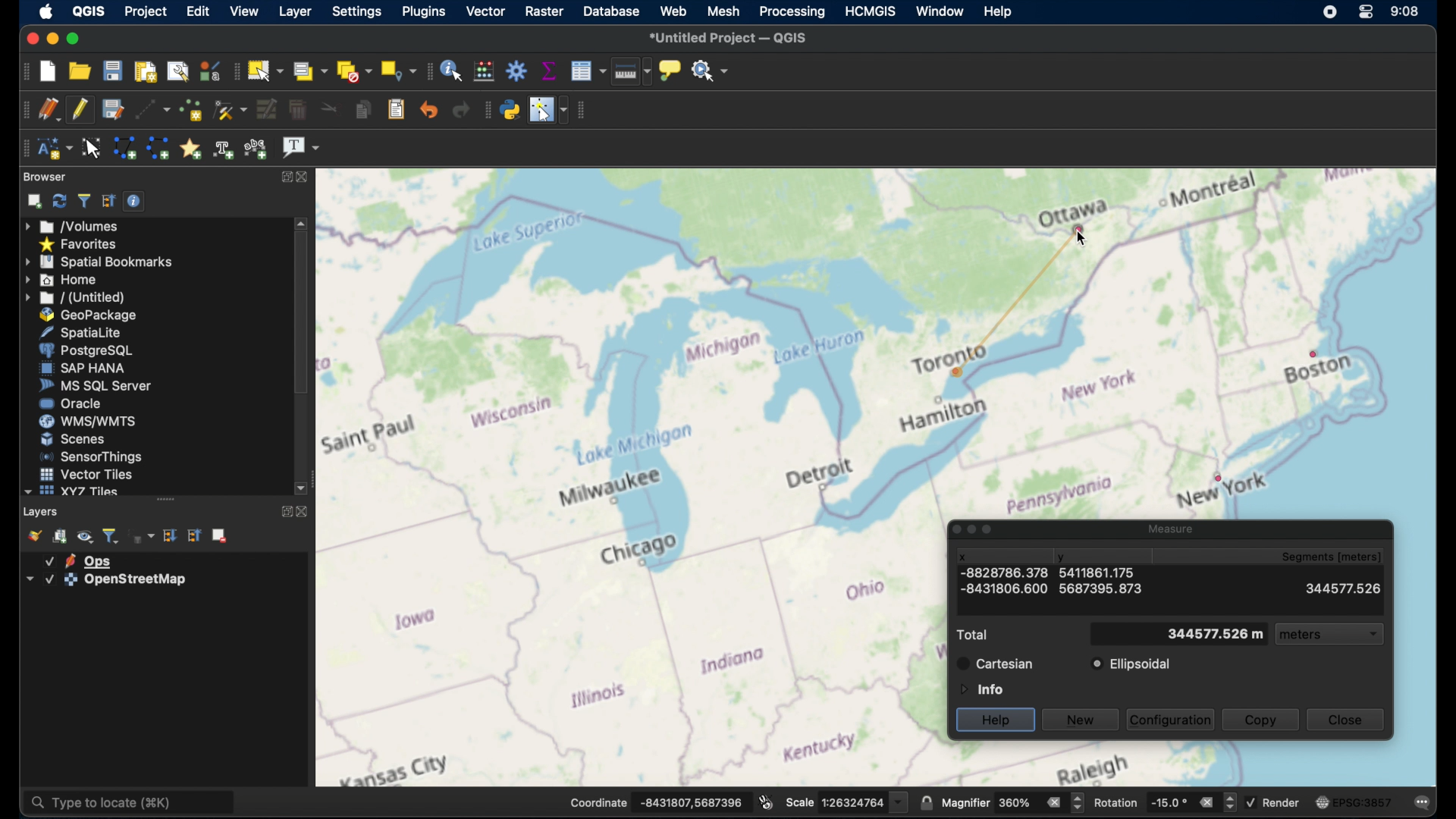 The height and width of the screenshot is (819, 1456). I want to click on layers, so click(42, 511).